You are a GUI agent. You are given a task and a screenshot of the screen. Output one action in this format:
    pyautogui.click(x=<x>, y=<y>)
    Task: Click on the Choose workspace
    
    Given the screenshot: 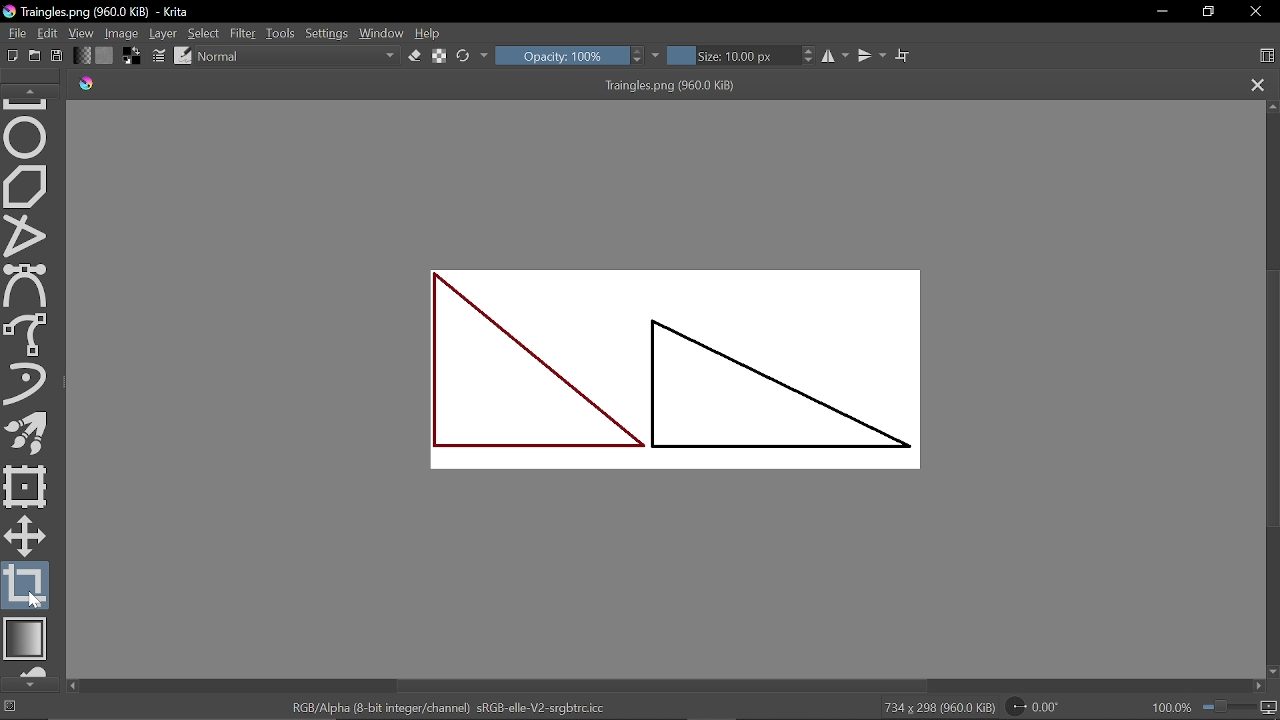 What is the action you would take?
    pyautogui.click(x=1267, y=57)
    